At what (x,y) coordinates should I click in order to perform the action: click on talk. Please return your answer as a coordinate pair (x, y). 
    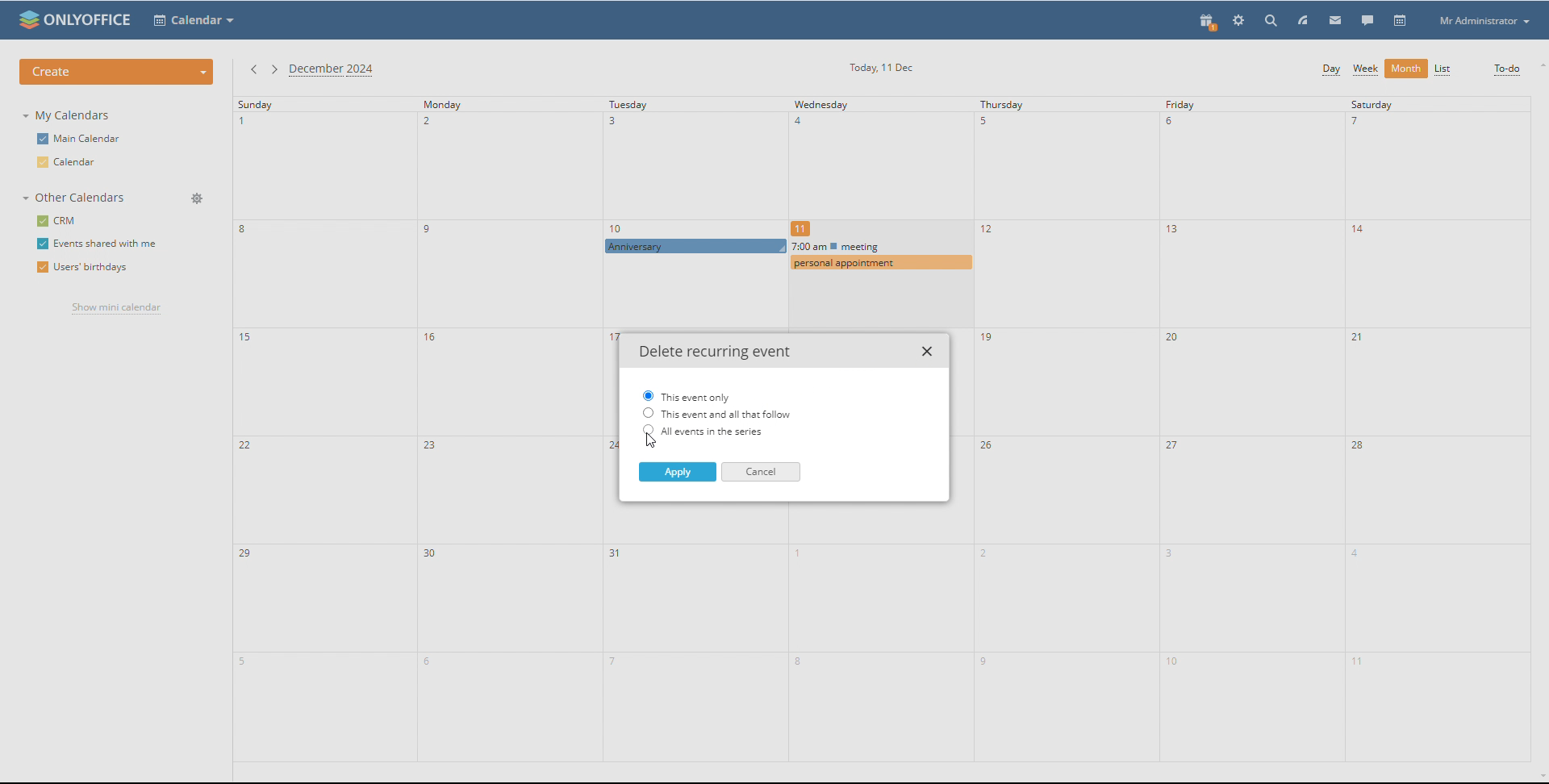
    Looking at the image, I should click on (1368, 20).